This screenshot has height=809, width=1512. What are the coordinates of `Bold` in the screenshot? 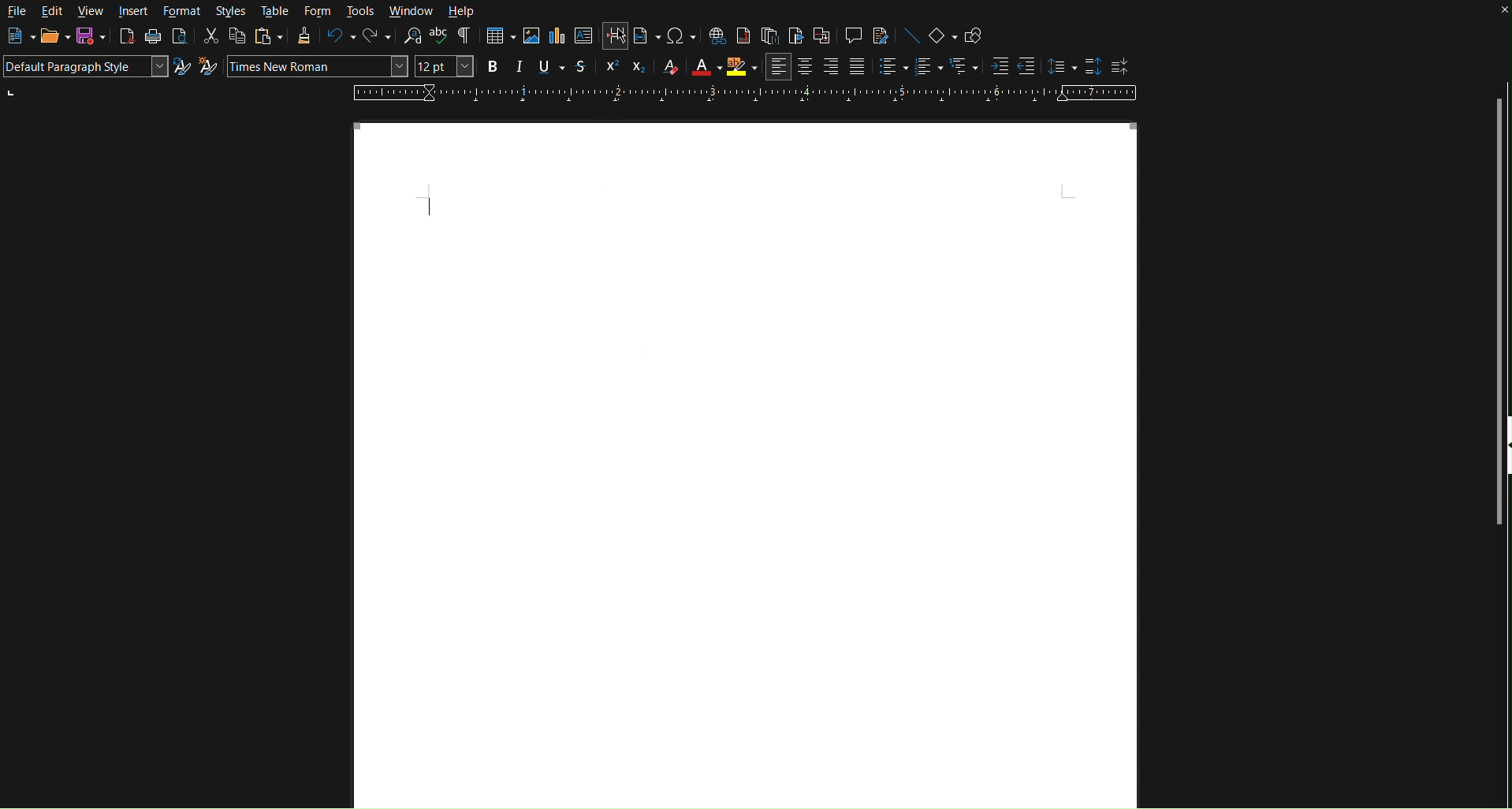 It's located at (493, 68).